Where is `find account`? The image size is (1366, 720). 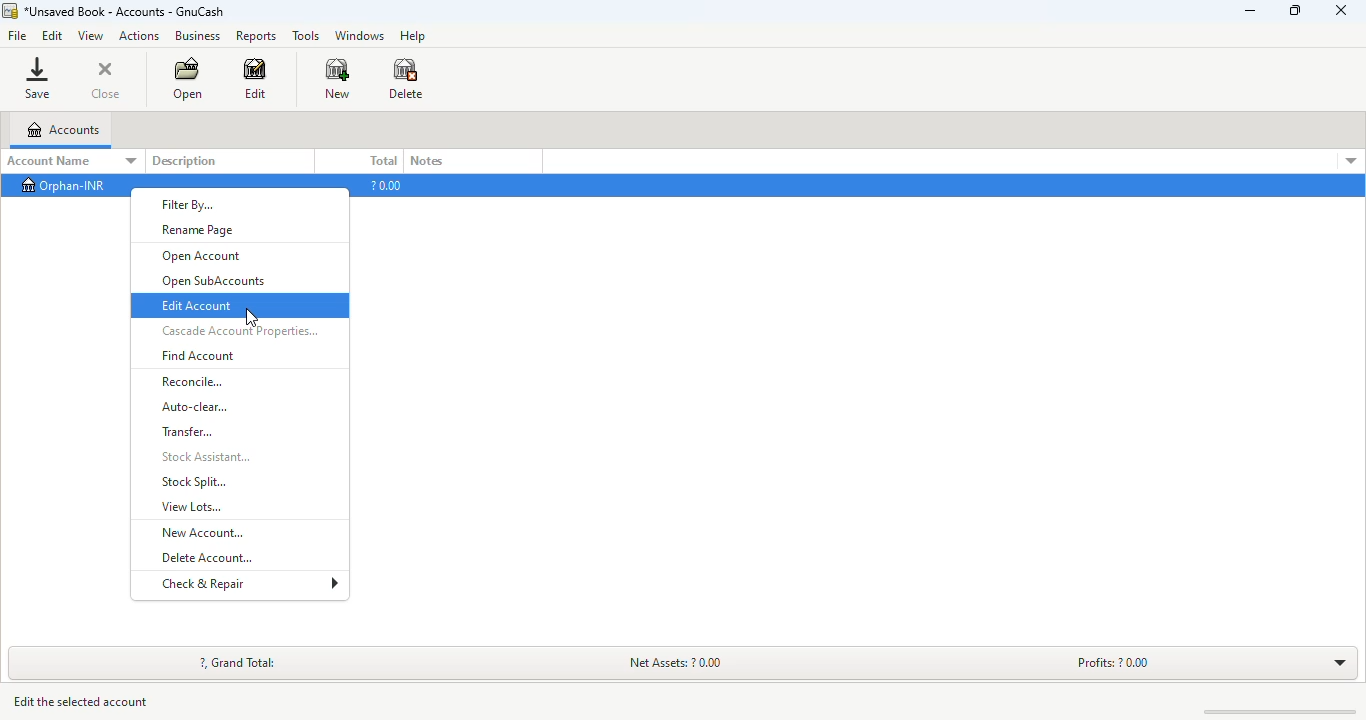
find account is located at coordinates (197, 356).